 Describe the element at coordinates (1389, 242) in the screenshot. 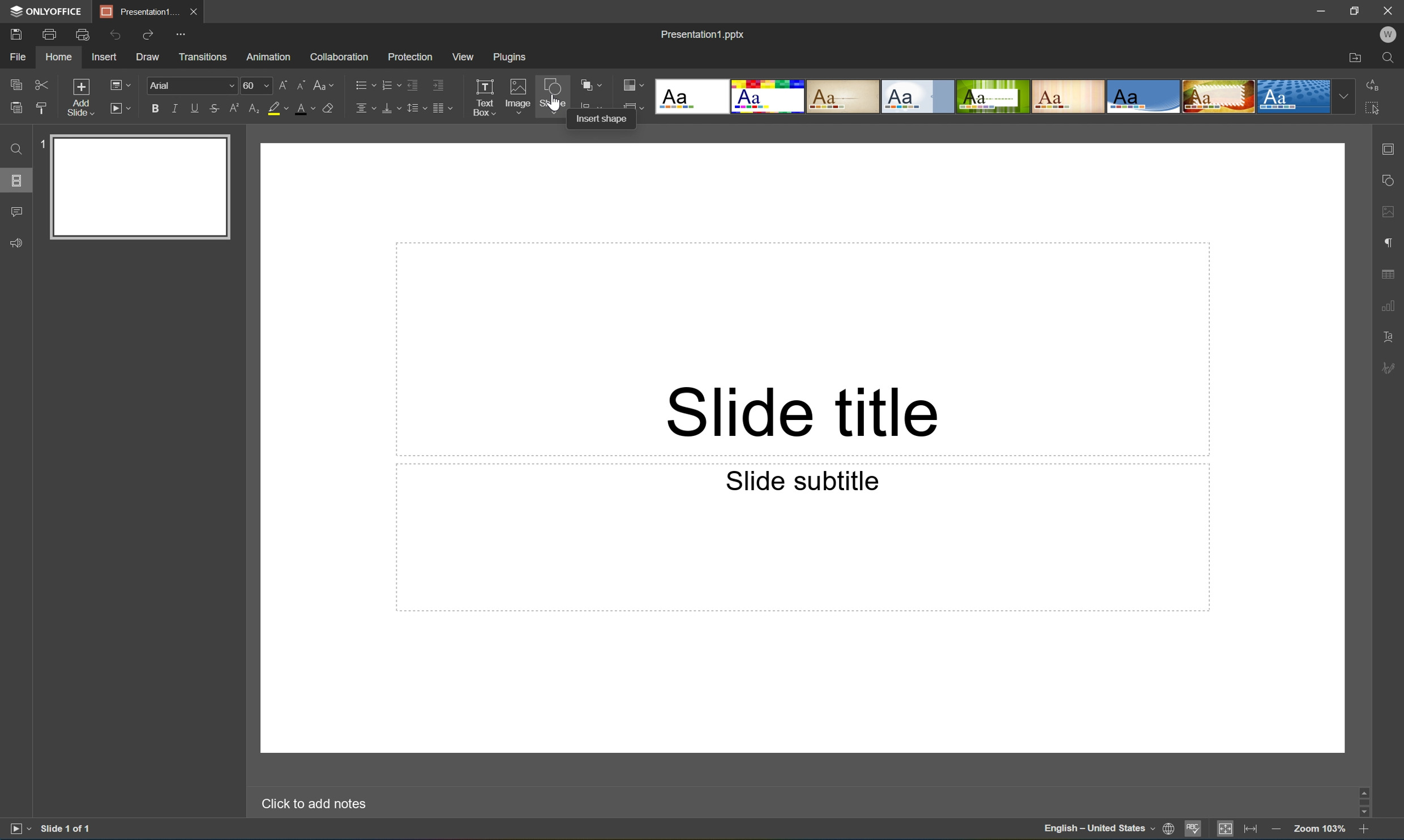

I see `paragraph settings` at that location.